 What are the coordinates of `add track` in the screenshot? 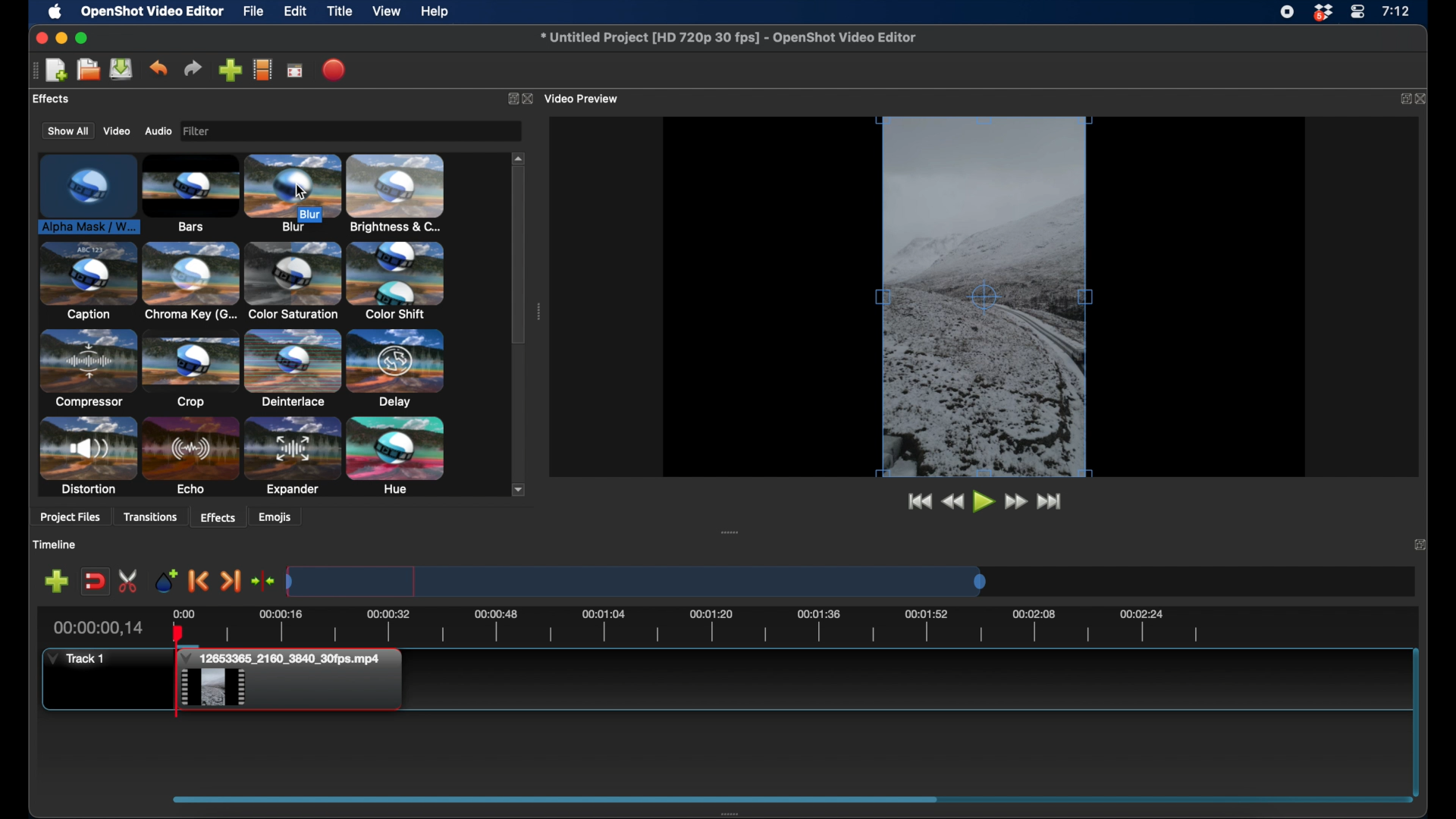 It's located at (58, 580).